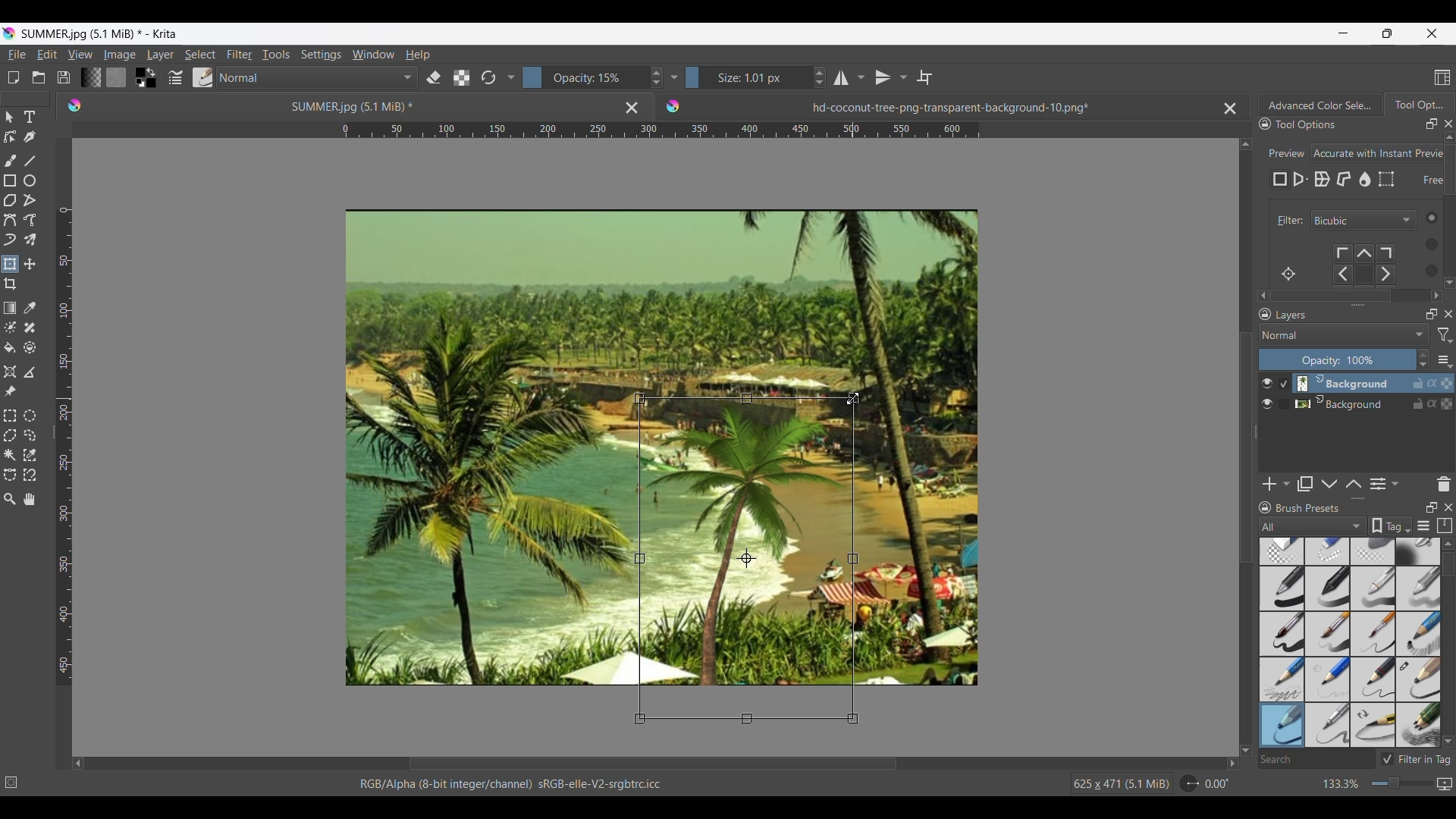 The height and width of the screenshot is (819, 1456). Describe the element at coordinates (1432, 314) in the screenshot. I see `Float layers panel` at that location.